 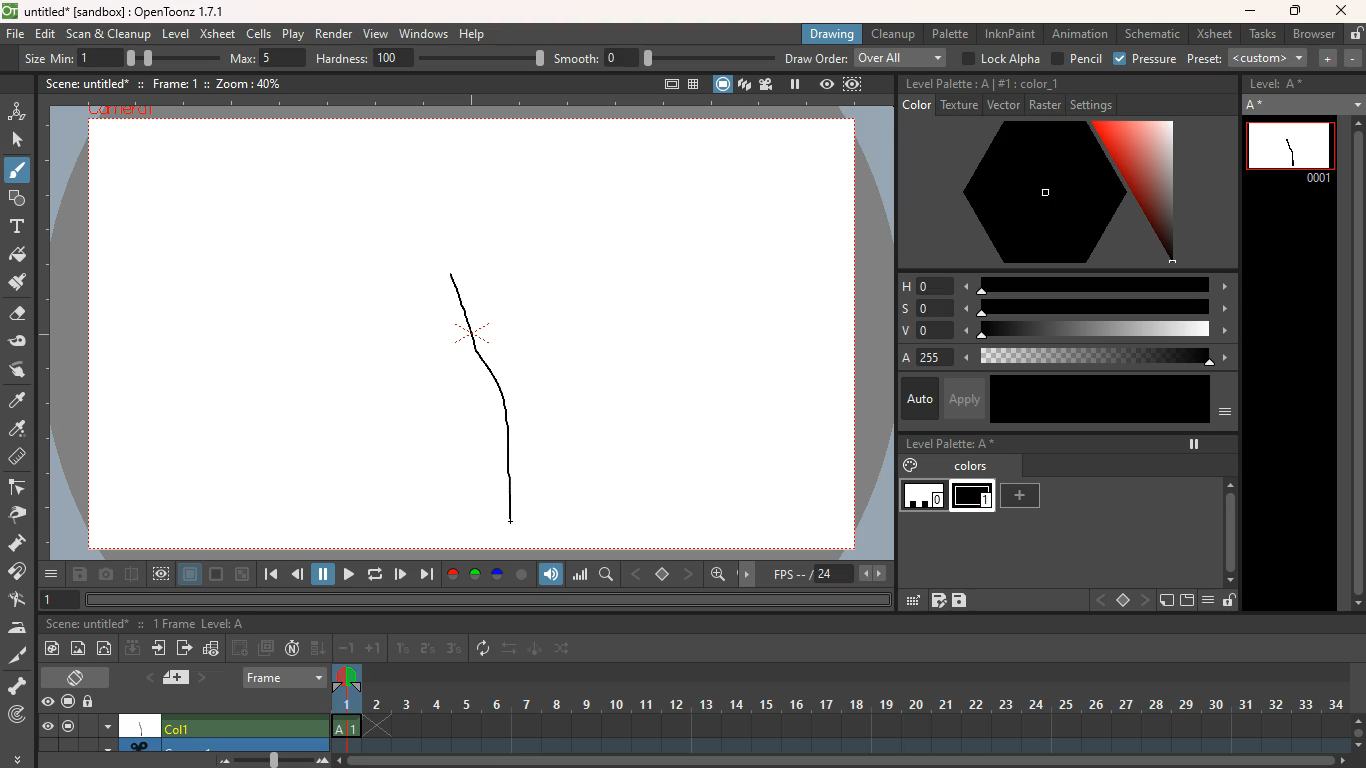 What do you see at coordinates (1302, 105) in the screenshot?
I see `A *` at bounding box center [1302, 105].